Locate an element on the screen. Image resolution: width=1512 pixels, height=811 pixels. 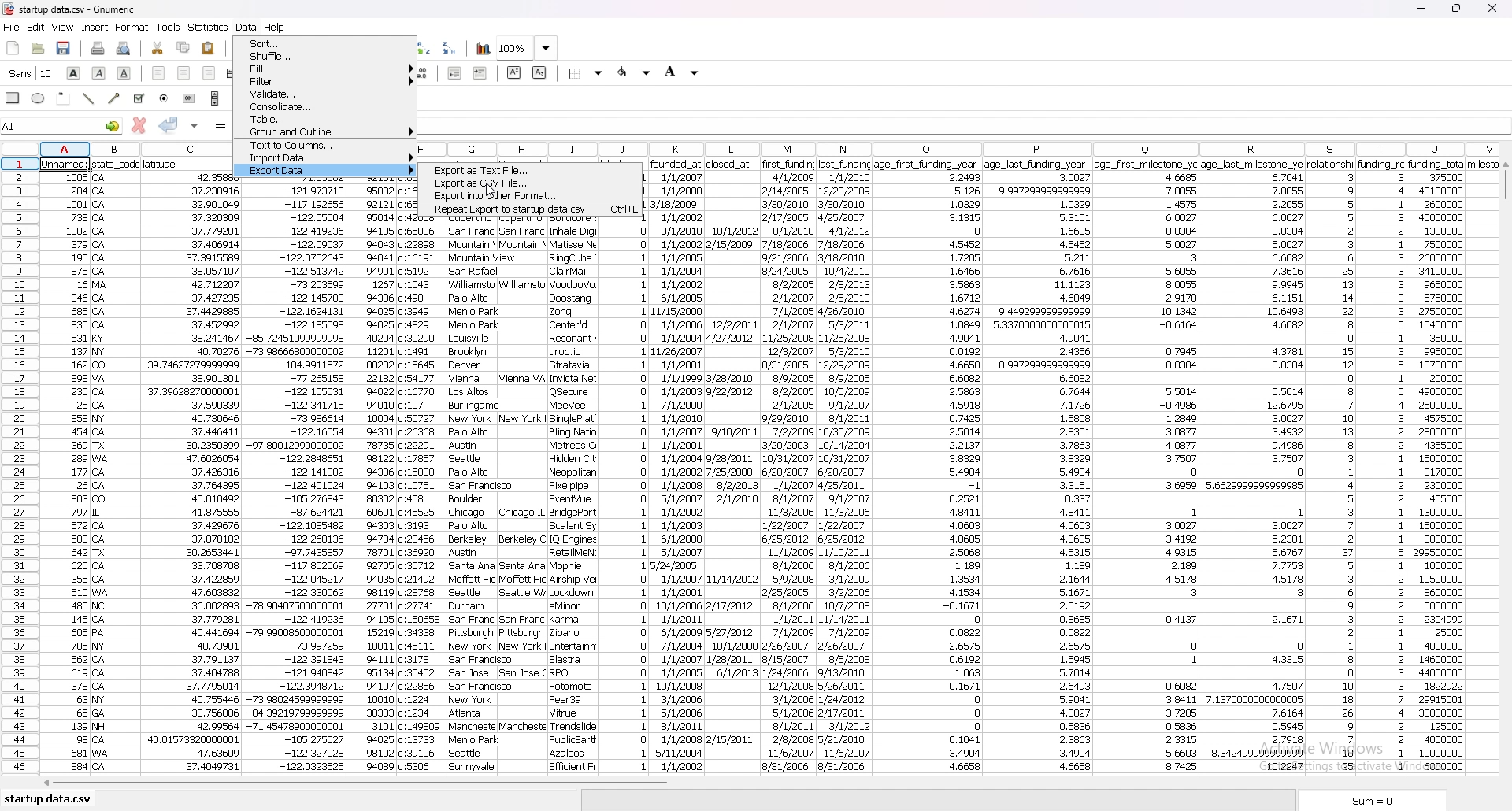
increase indent is located at coordinates (480, 72).